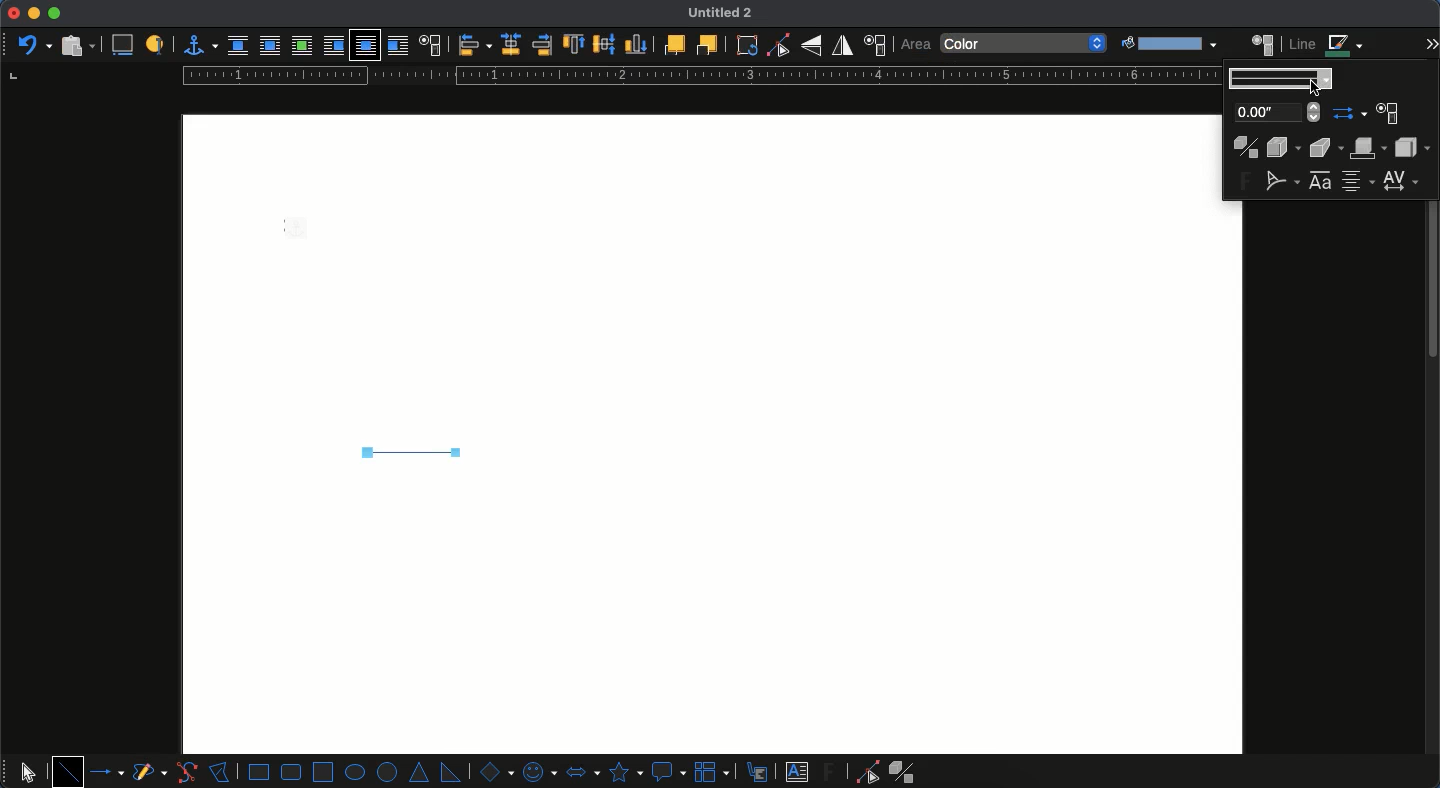 The height and width of the screenshot is (788, 1440). What do you see at coordinates (1432, 39) in the screenshot?
I see `expand` at bounding box center [1432, 39].